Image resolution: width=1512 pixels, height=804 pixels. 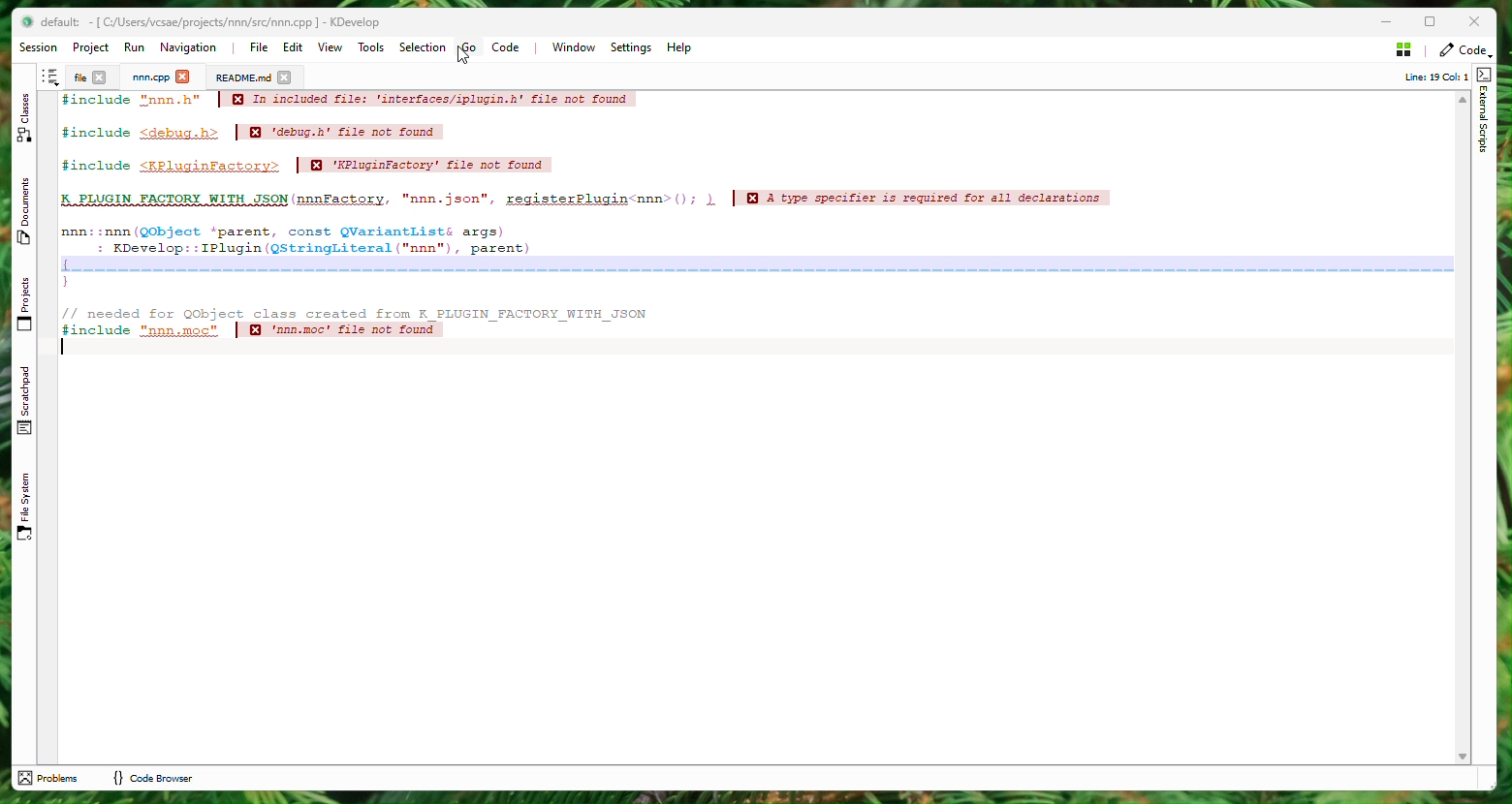 I want to click on Documents, so click(x=27, y=216).